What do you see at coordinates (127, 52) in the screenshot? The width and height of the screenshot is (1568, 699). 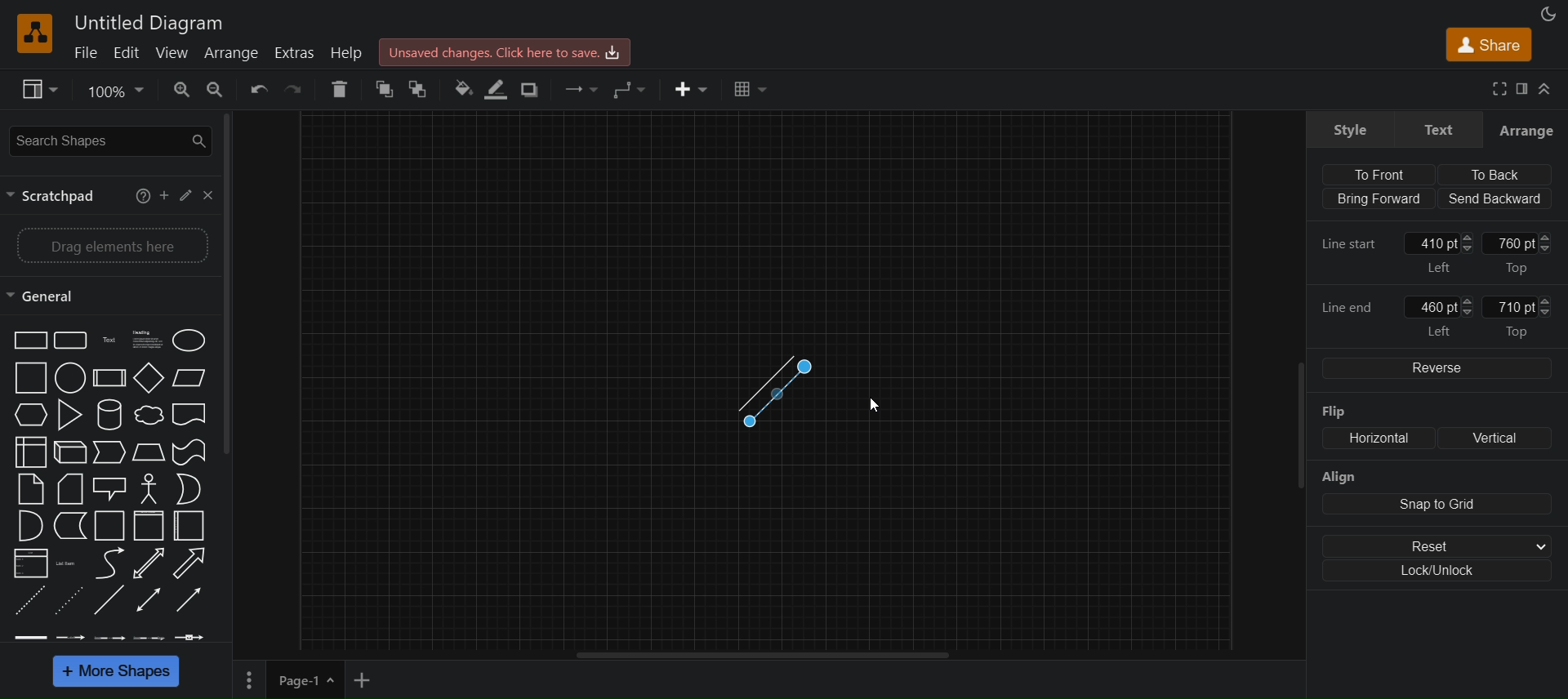 I see `edit` at bounding box center [127, 52].